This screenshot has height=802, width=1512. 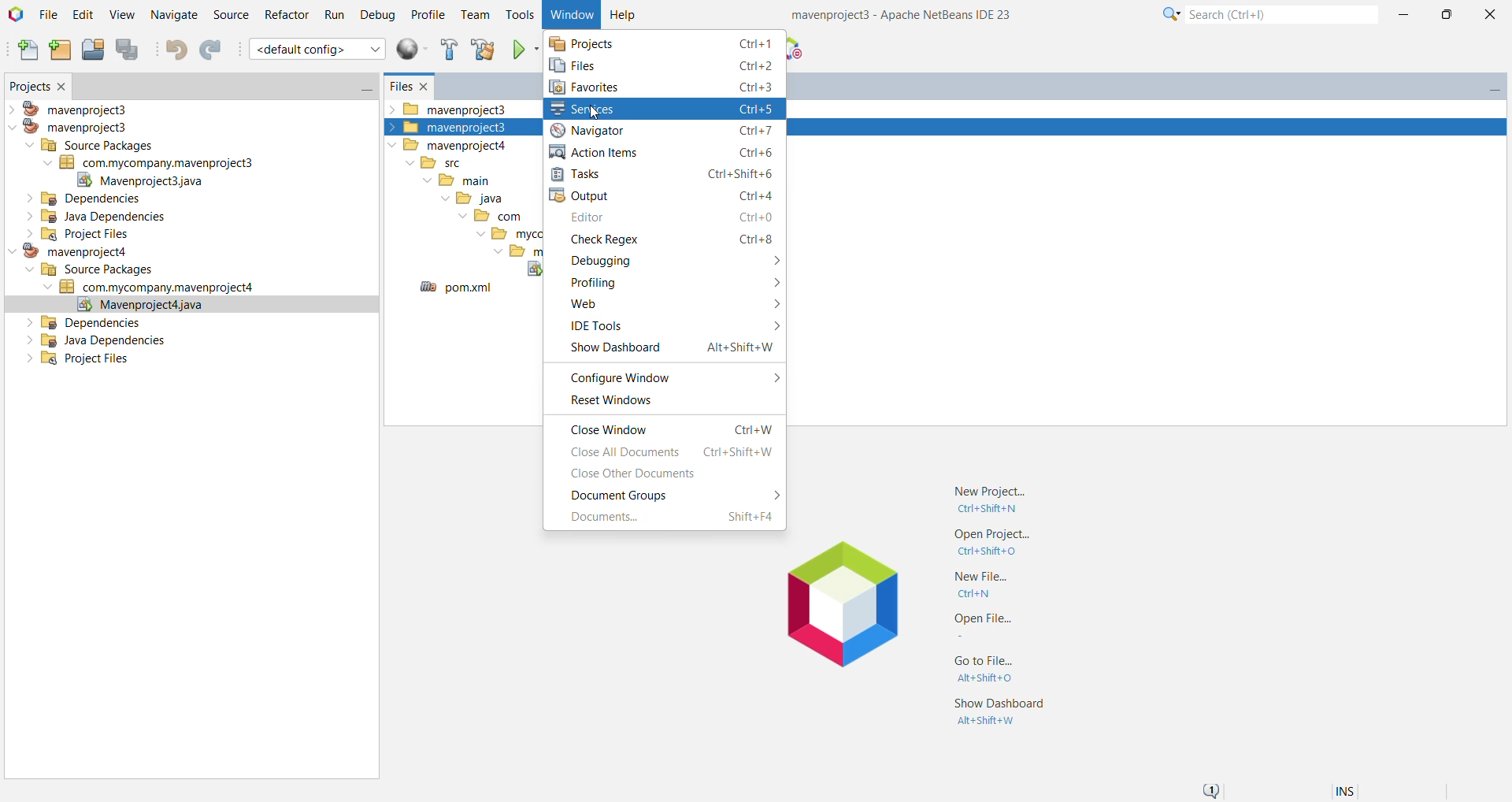 I want to click on Project Files, so click(x=72, y=362).